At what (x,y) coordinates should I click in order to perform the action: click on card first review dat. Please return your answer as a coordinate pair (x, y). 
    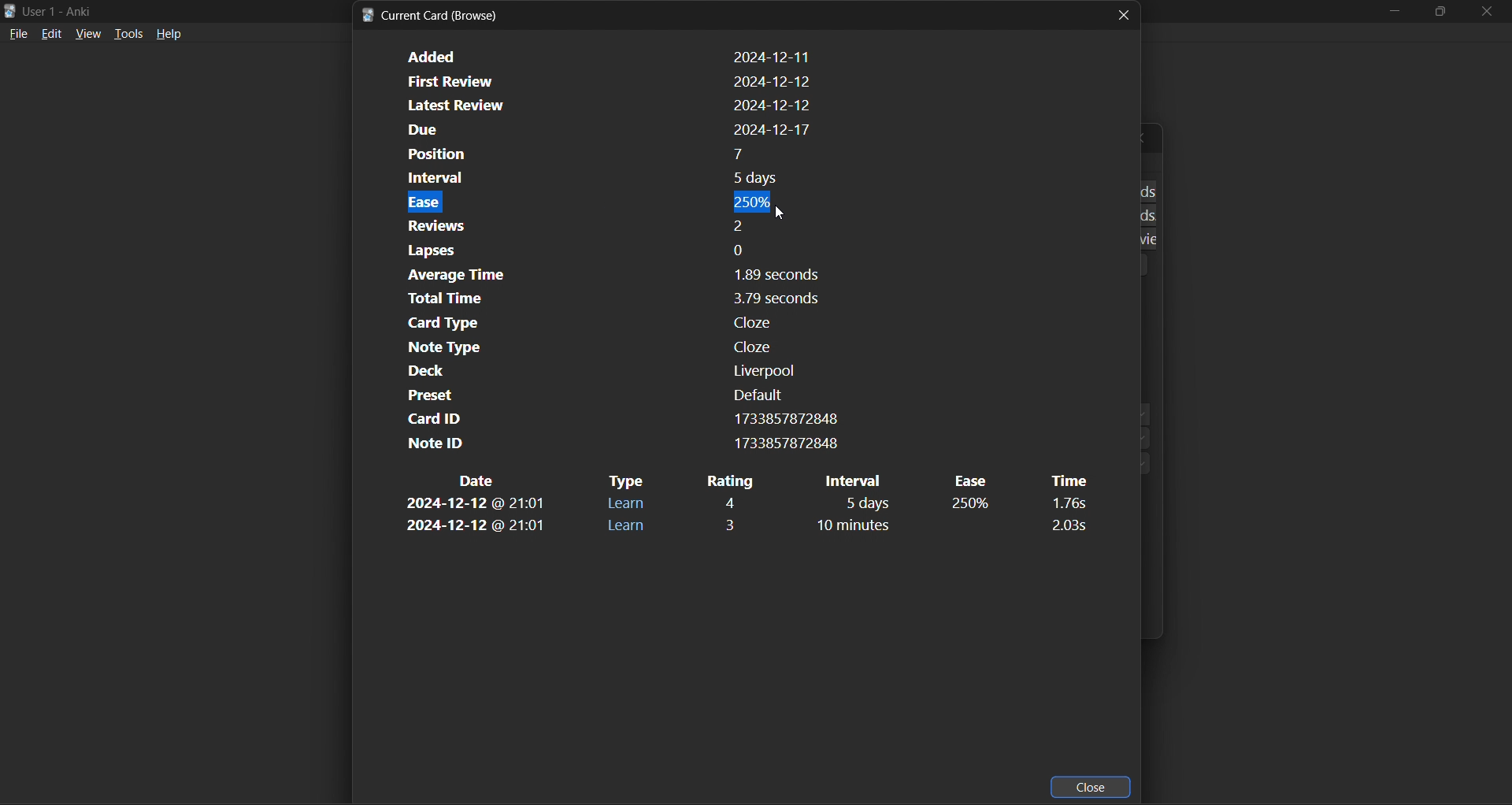
    Looking at the image, I should click on (605, 80).